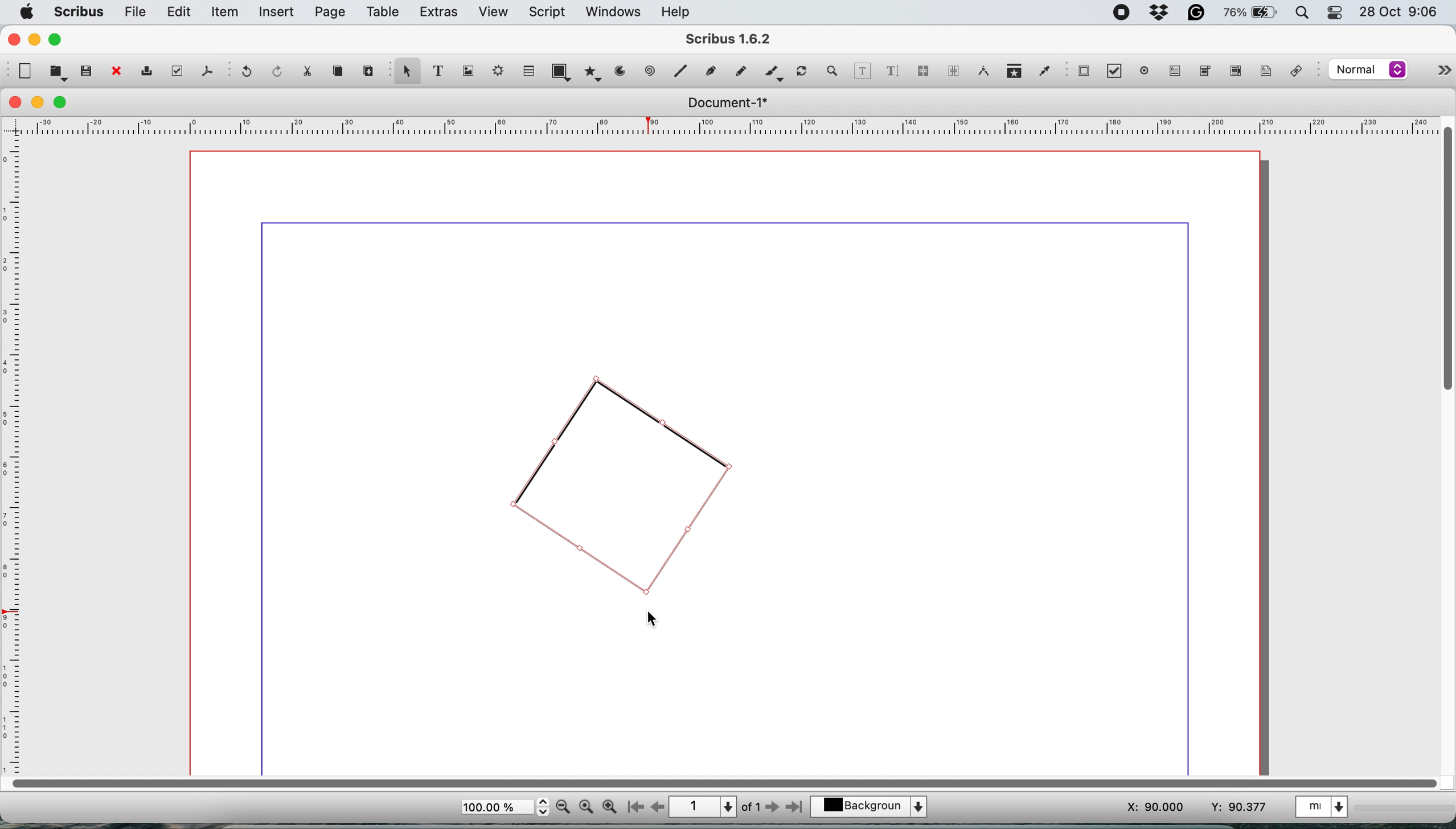 The image size is (1456, 829). I want to click on control center, so click(1334, 14).